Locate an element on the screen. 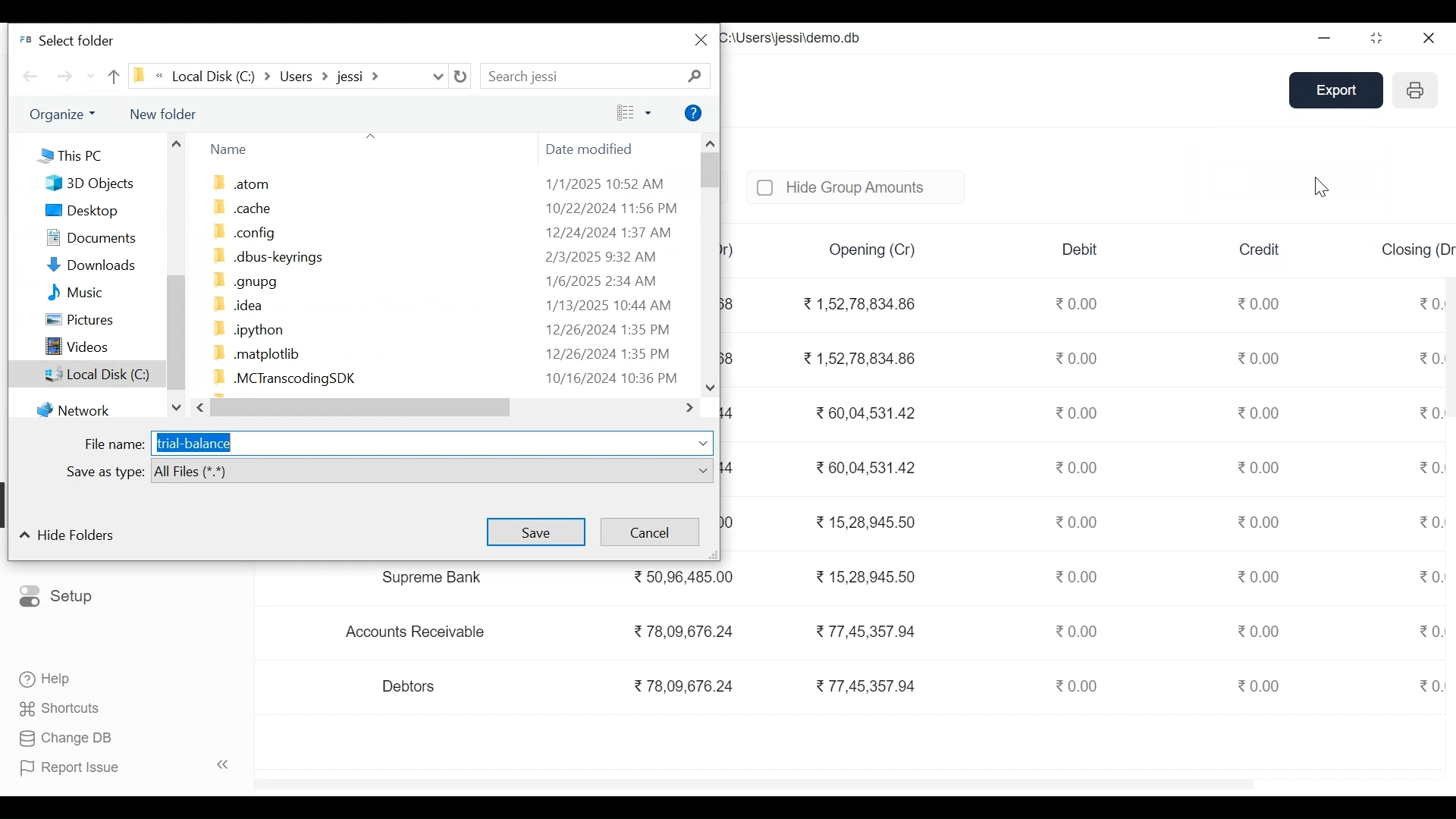 The image size is (1456, 819). .MCTranscodingSDK is located at coordinates (284, 379).